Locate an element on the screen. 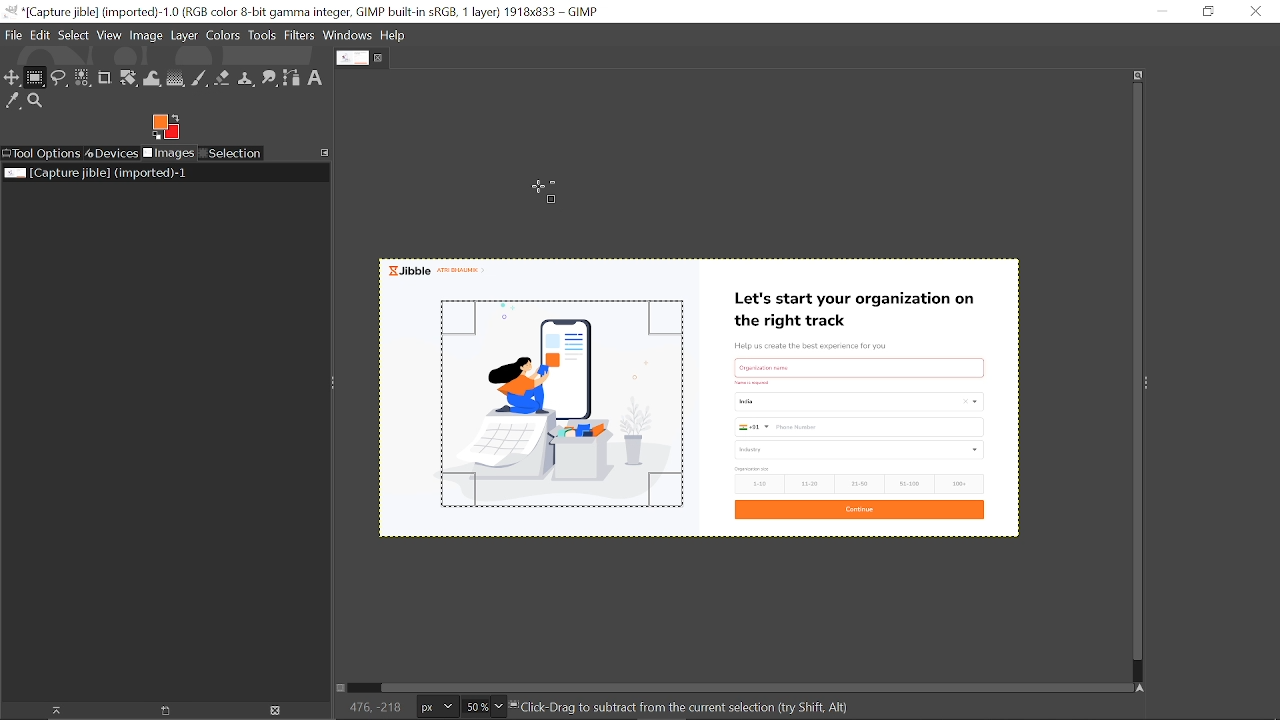 This screenshot has height=720, width=1280. Devices is located at coordinates (112, 153).